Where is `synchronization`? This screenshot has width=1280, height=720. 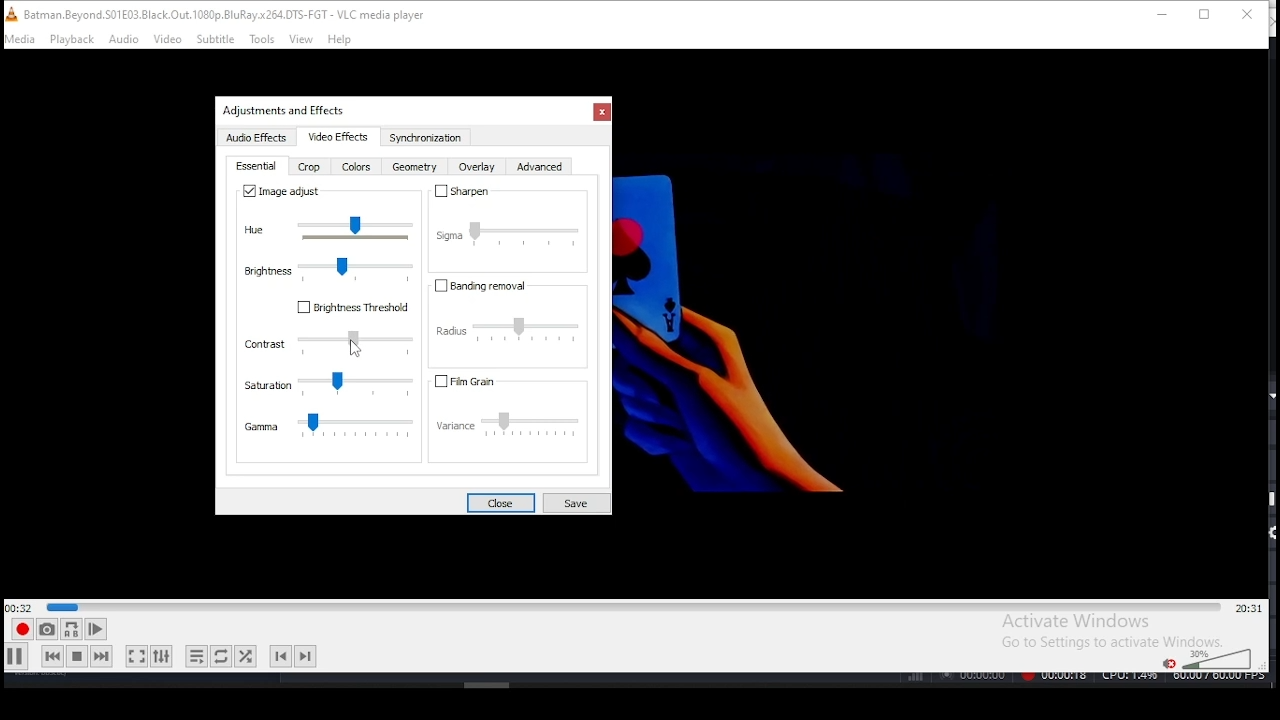 synchronization is located at coordinates (424, 138).